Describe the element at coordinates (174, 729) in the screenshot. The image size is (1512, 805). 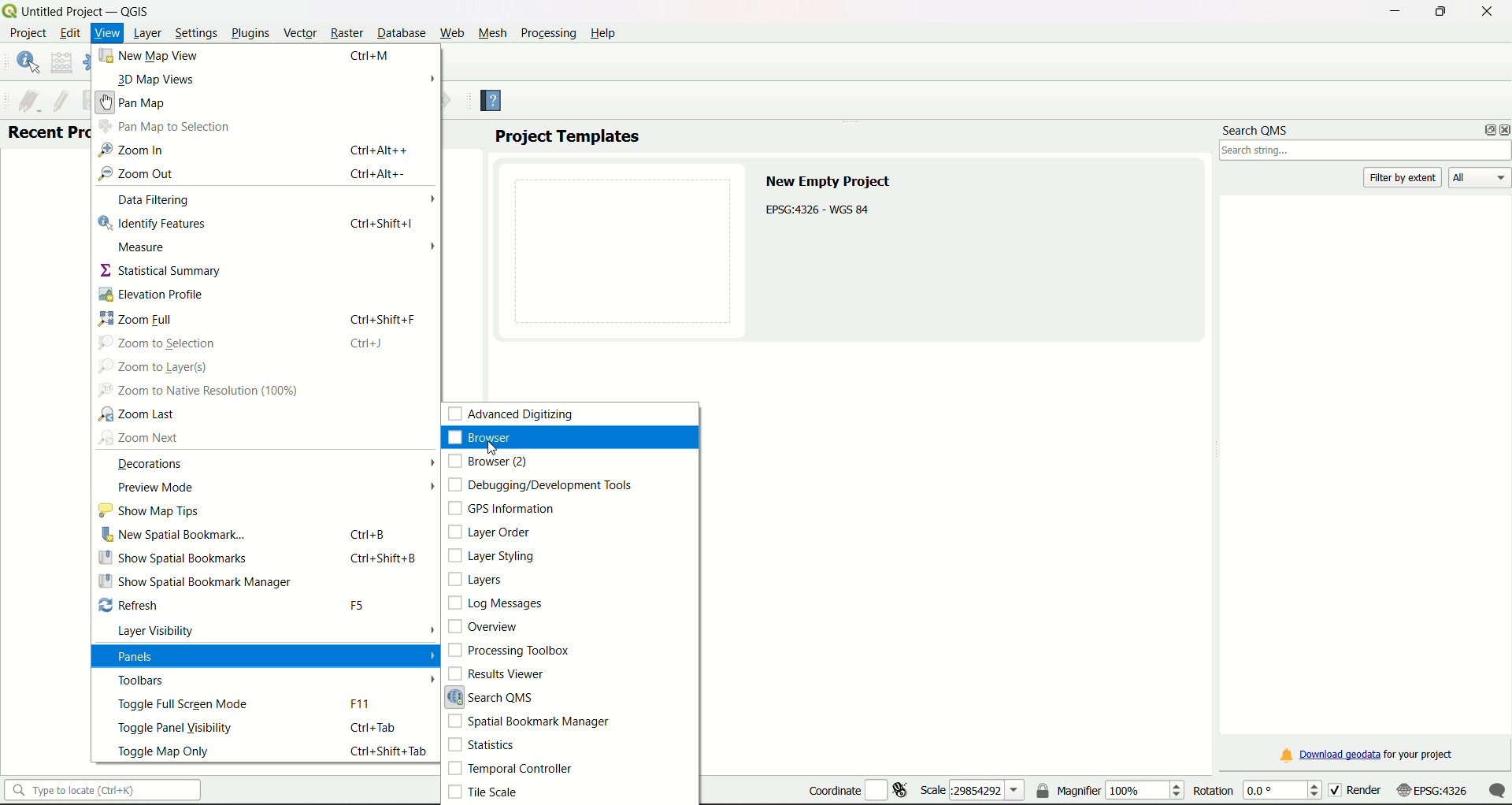
I see `toggle panel visibility` at that location.